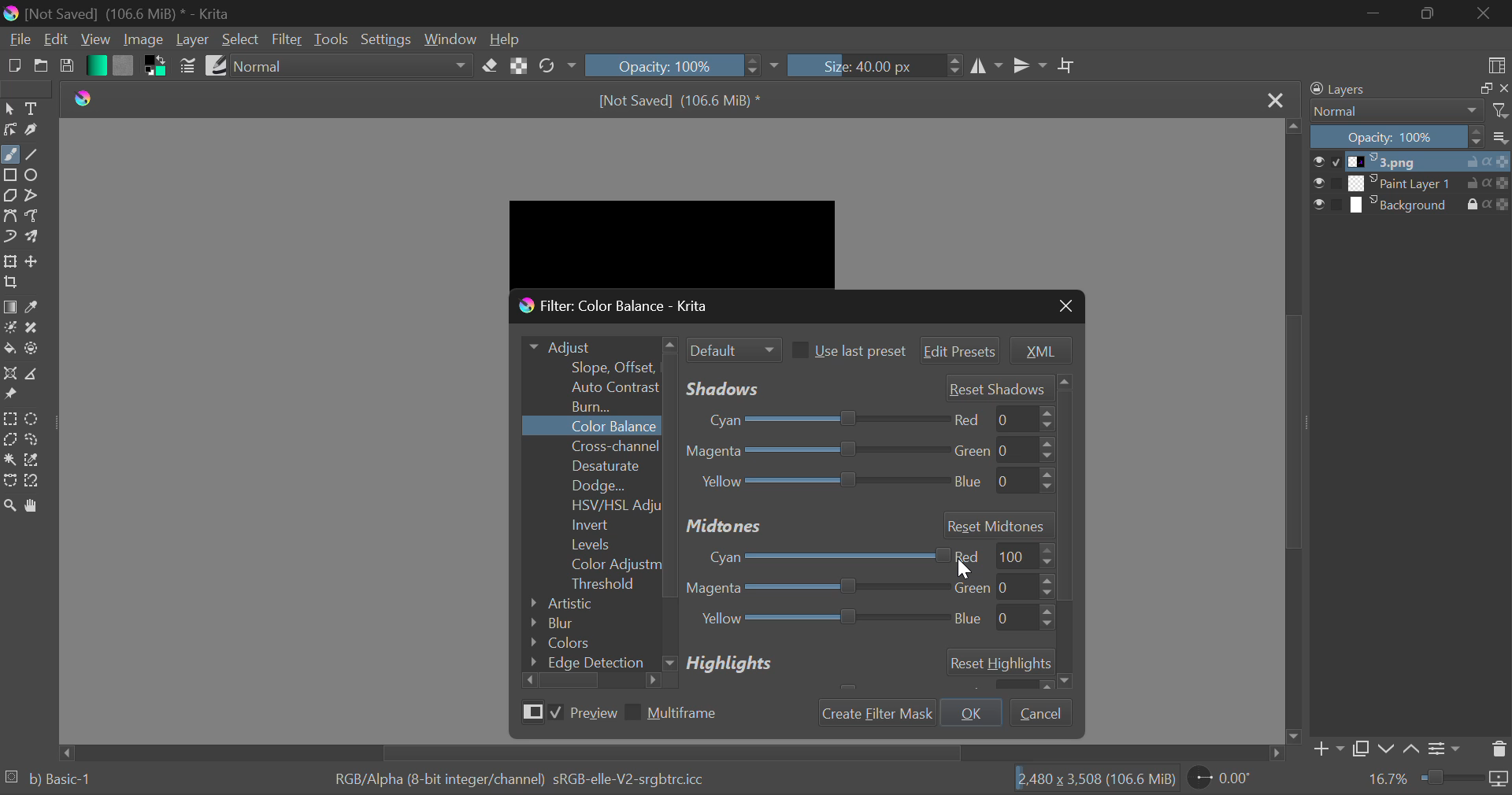 The height and width of the screenshot is (795, 1512). What do you see at coordinates (505, 39) in the screenshot?
I see `Help` at bounding box center [505, 39].